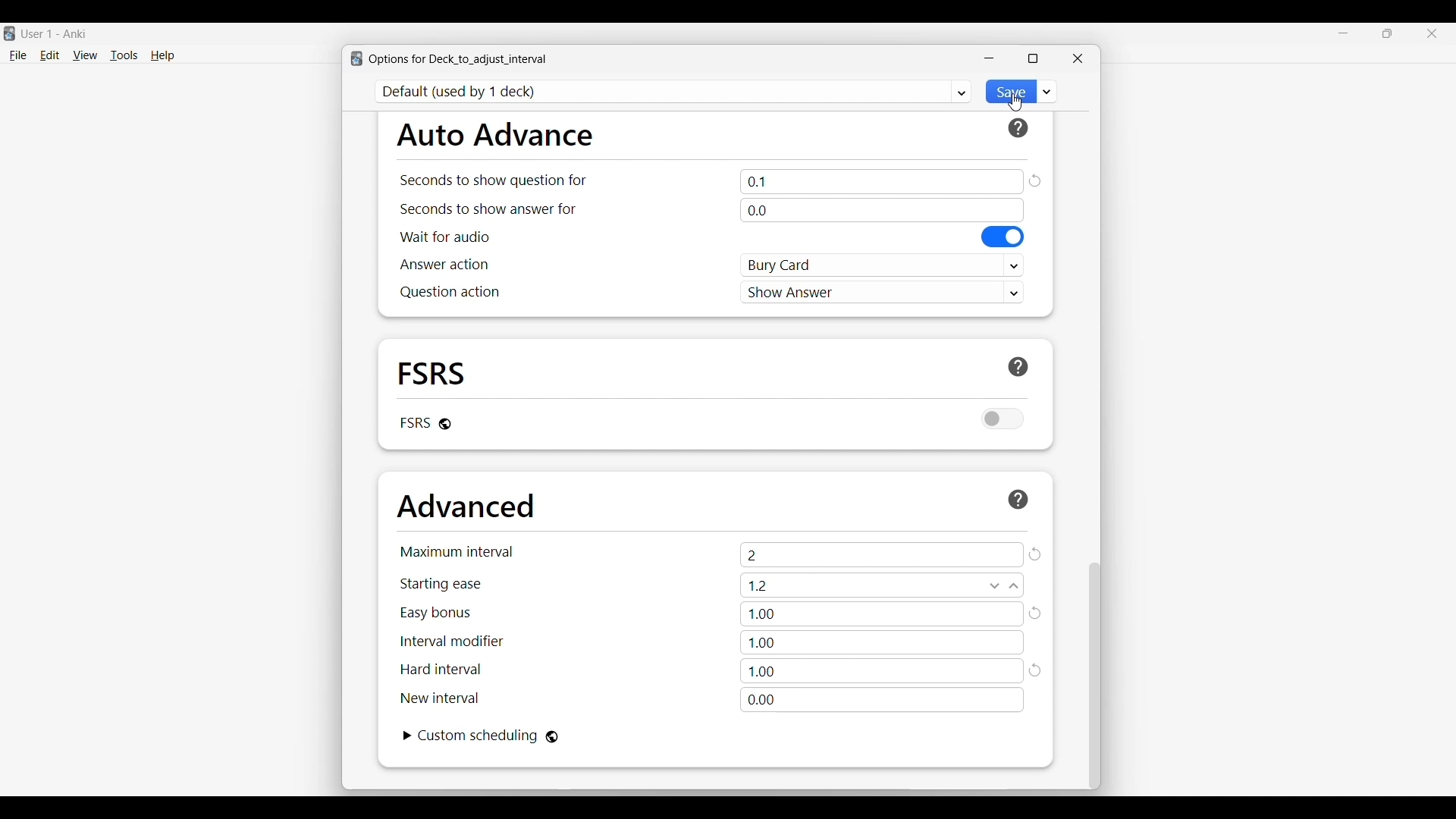 This screenshot has width=1456, height=819. What do you see at coordinates (458, 59) in the screenshot?
I see `Window title` at bounding box center [458, 59].